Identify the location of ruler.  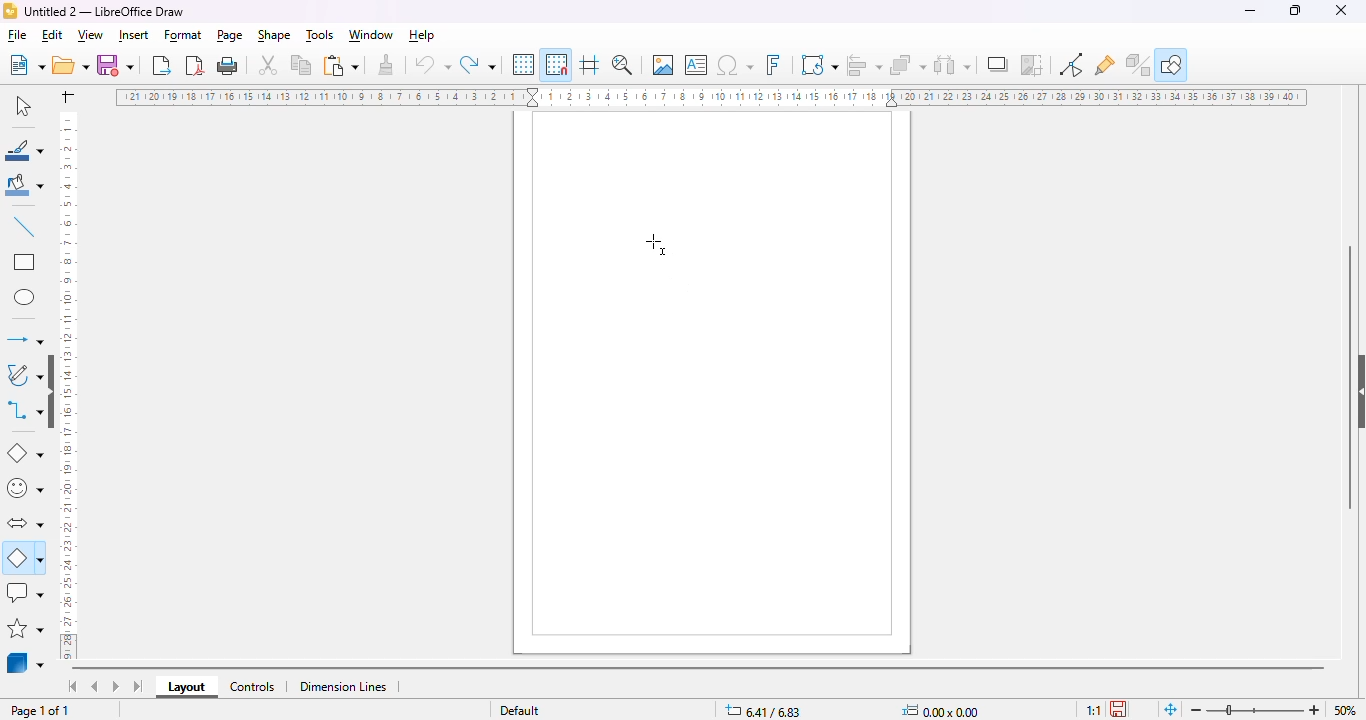
(68, 386).